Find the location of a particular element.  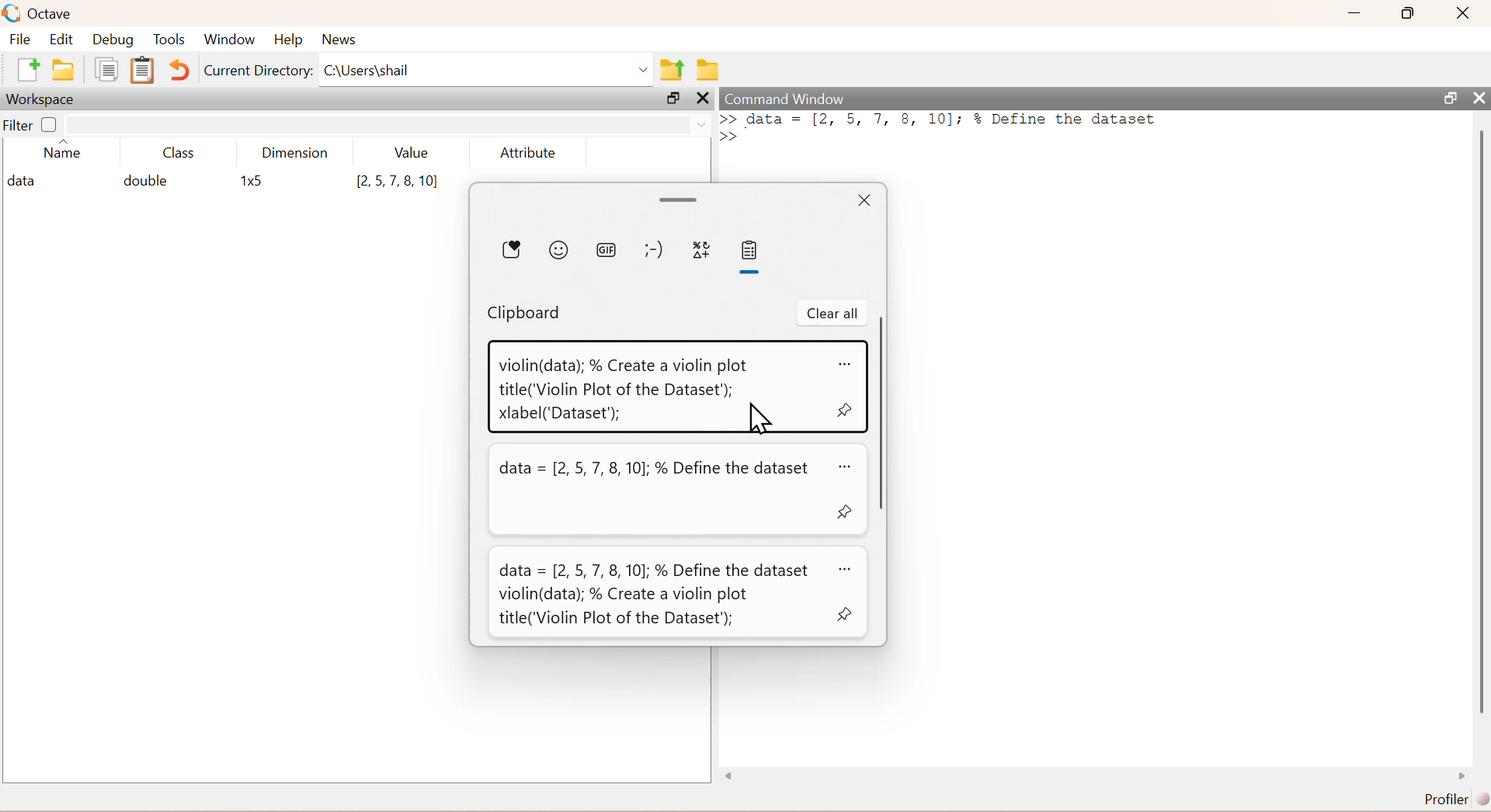

Current Directory: is located at coordinates (259, 71).